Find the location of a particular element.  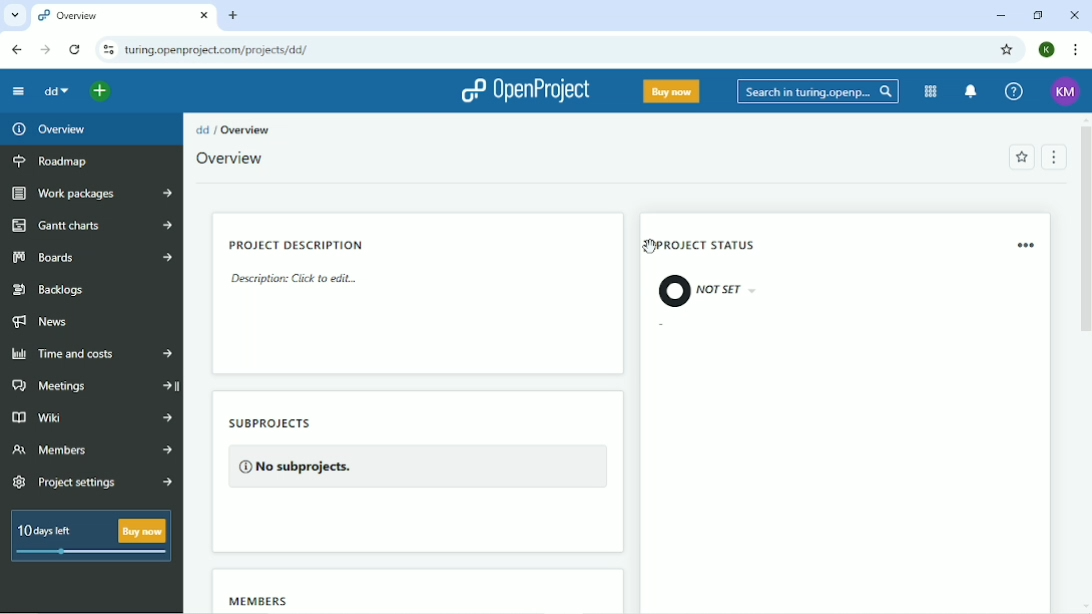

Meetings is located at coordinates (91, 387).